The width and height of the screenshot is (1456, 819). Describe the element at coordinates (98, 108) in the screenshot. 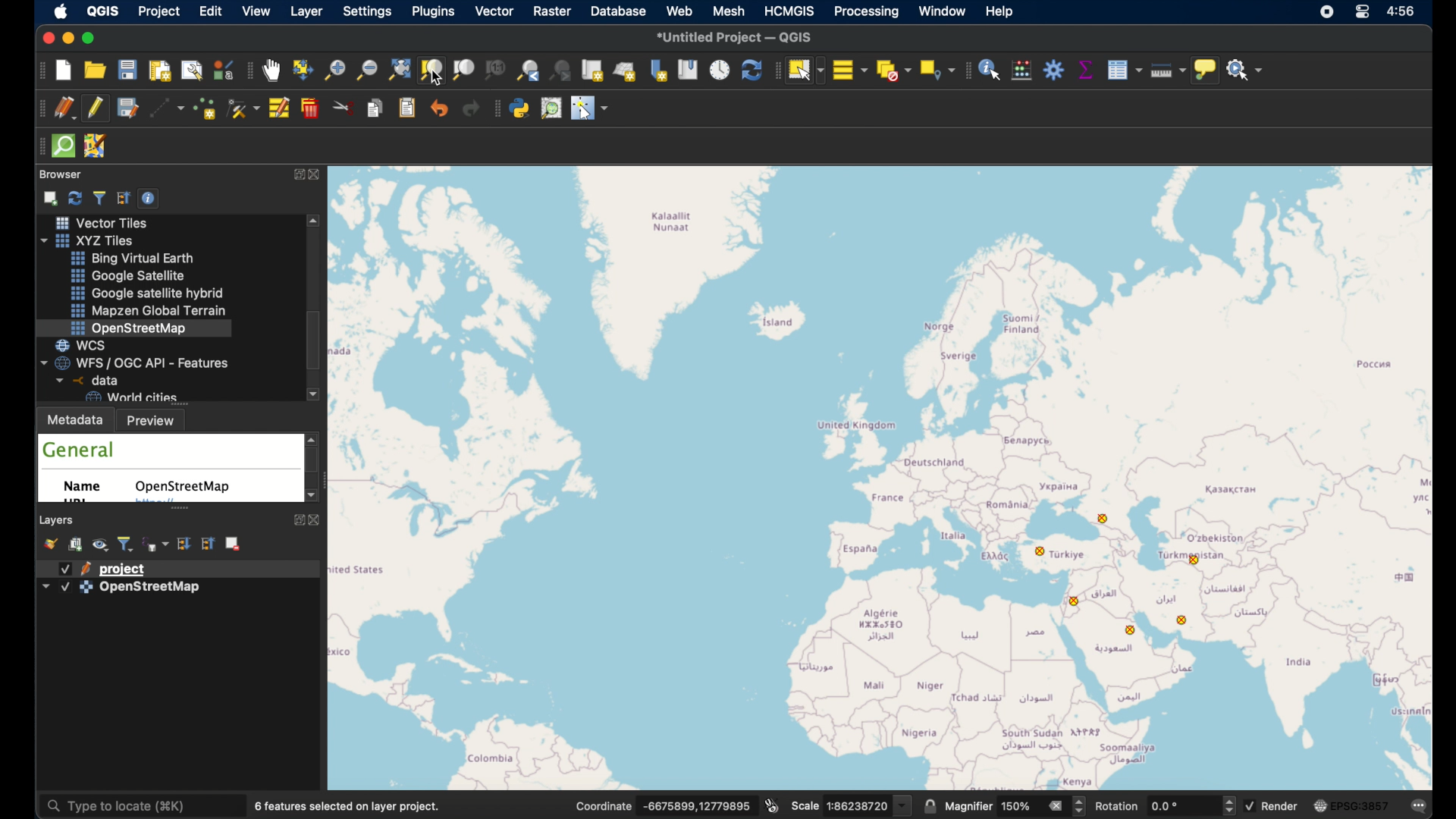

I see `toggle editing` at that location.